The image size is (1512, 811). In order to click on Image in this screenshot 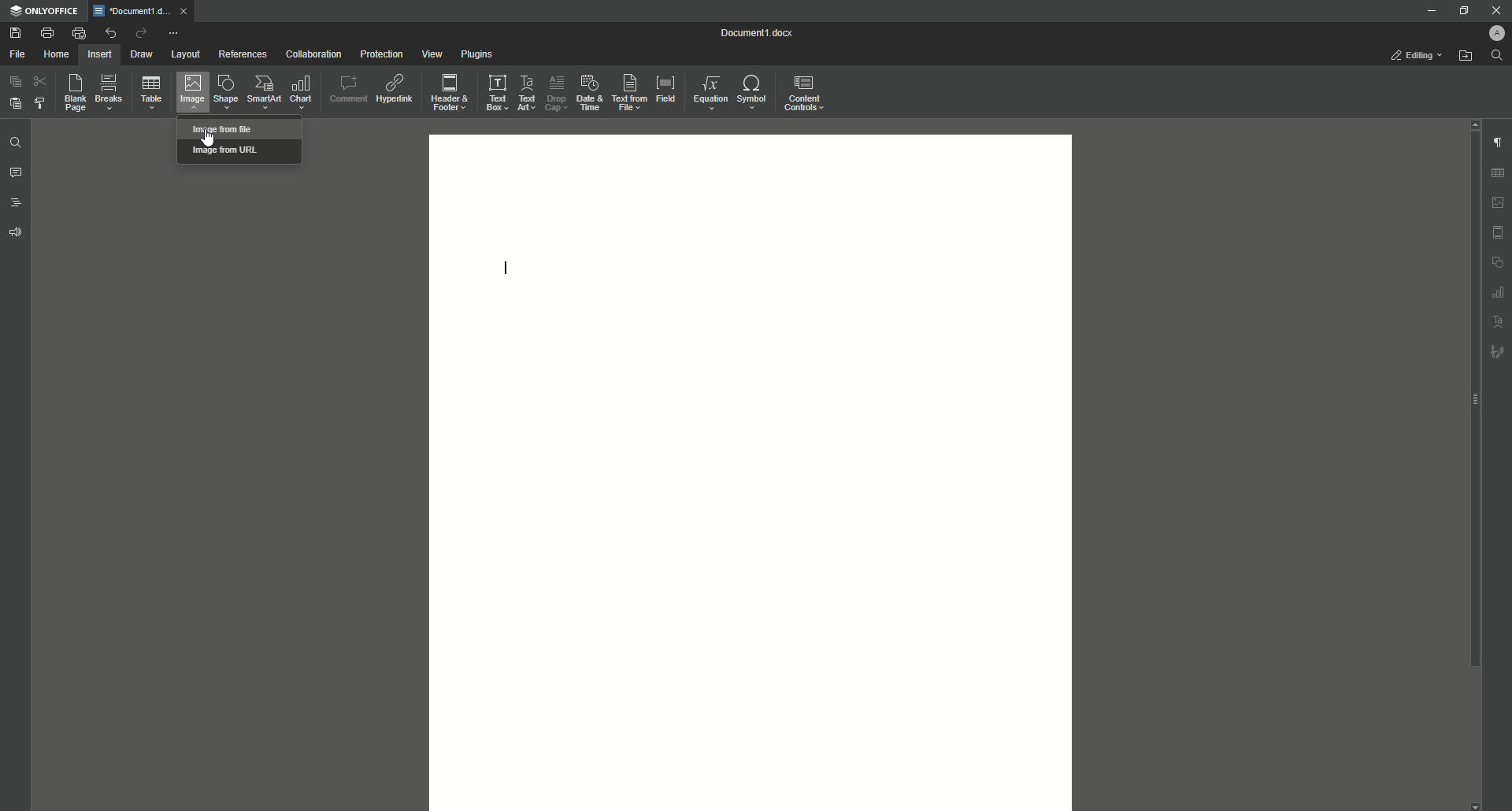, I will do `click(190, 94)`.